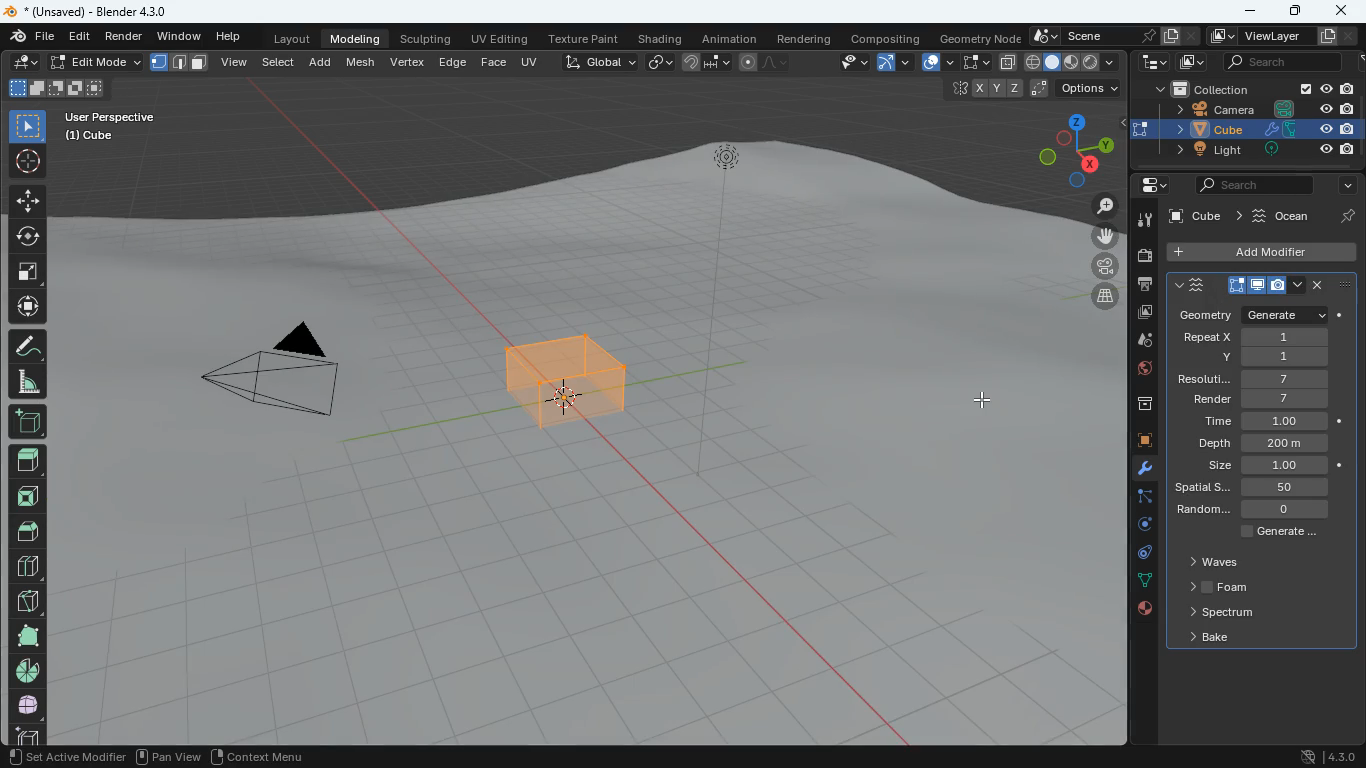  Describe the element at coordinates (1136, 342) in the screenshot. I see `drop` at that location.